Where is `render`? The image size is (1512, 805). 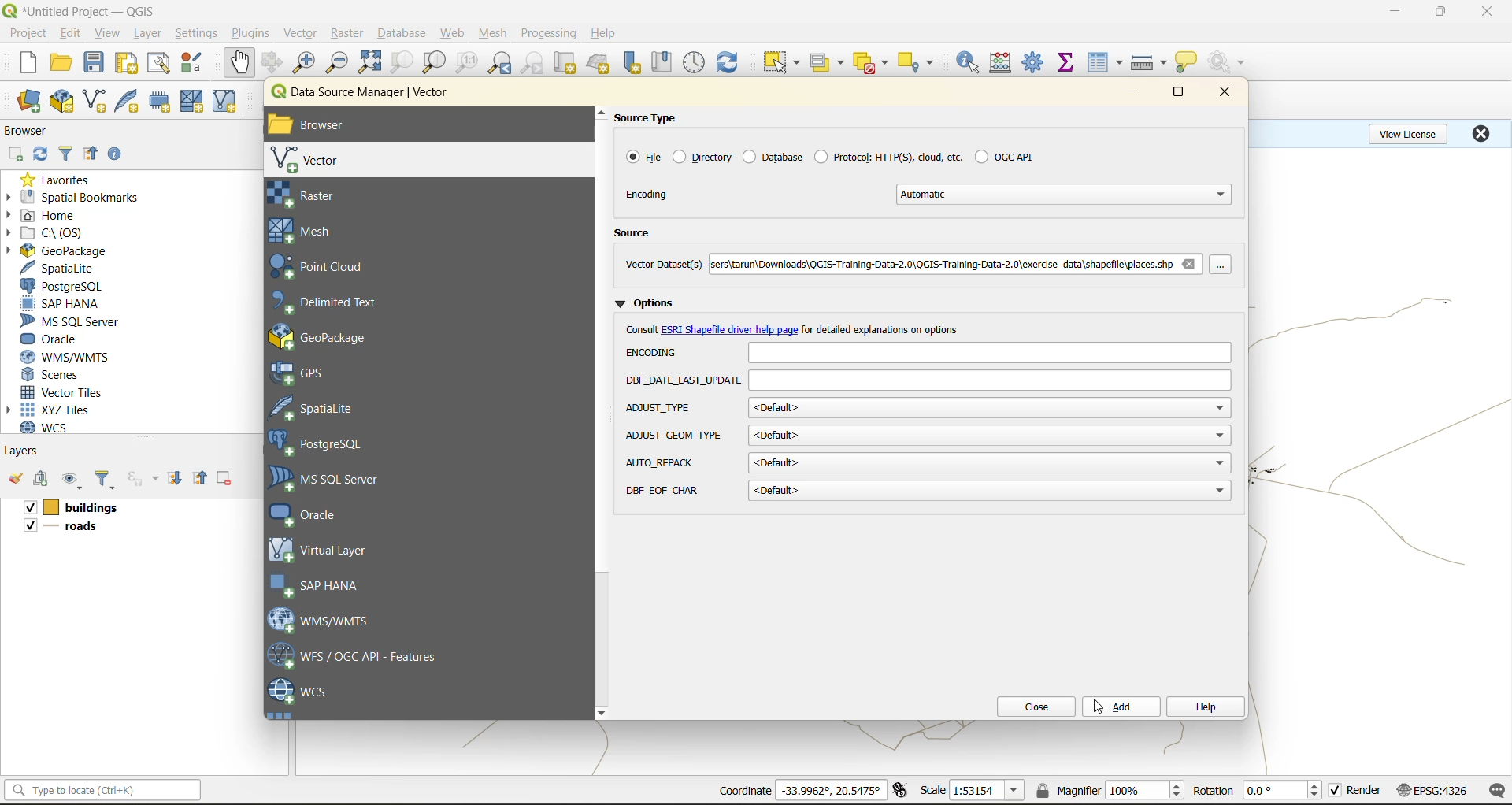
render is located at coordinates (1366, 790).